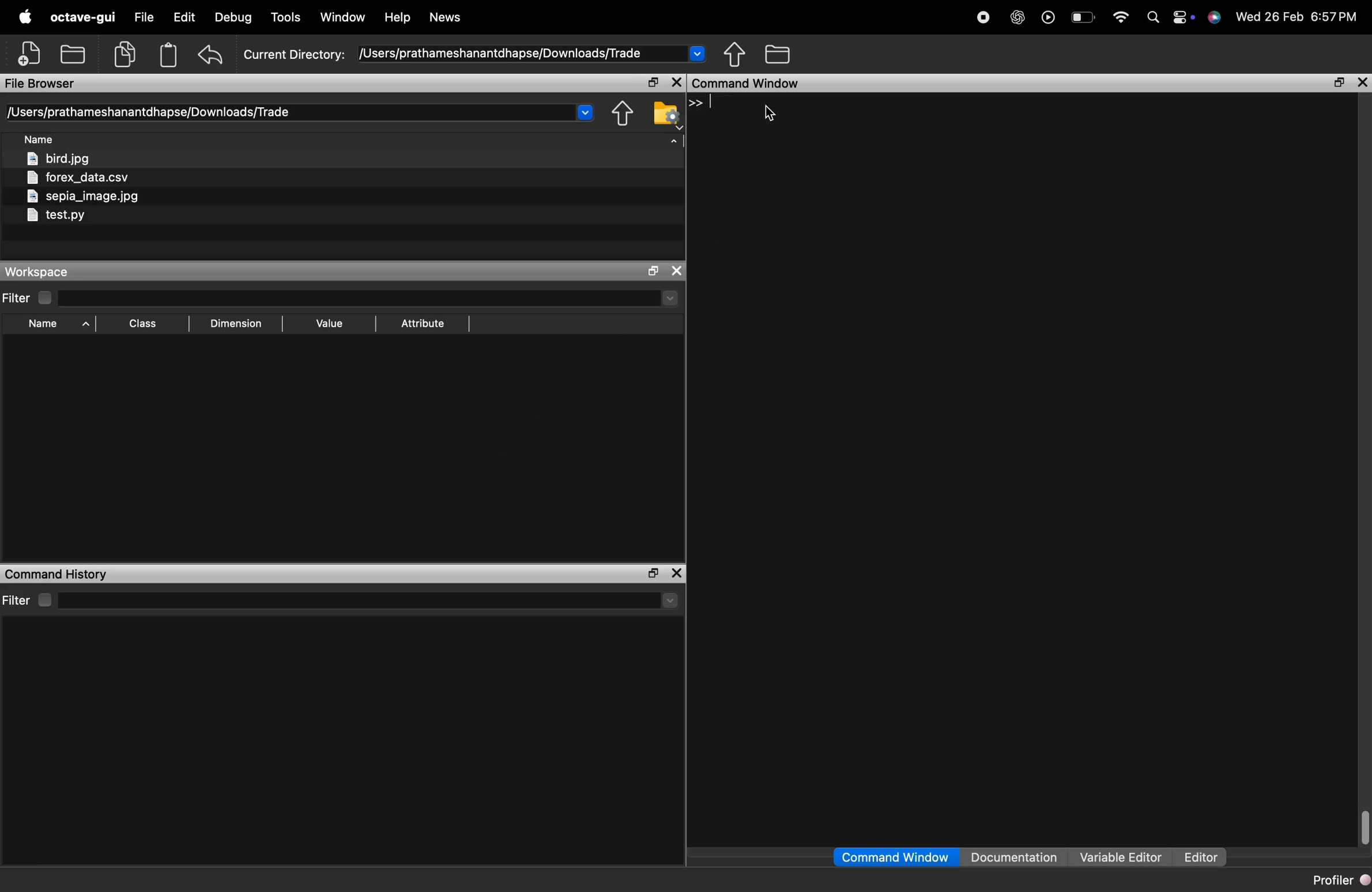  What do you see at coordinates (168, 54) in the screenshot?
I see `paste` at bounding box center [168, 54].